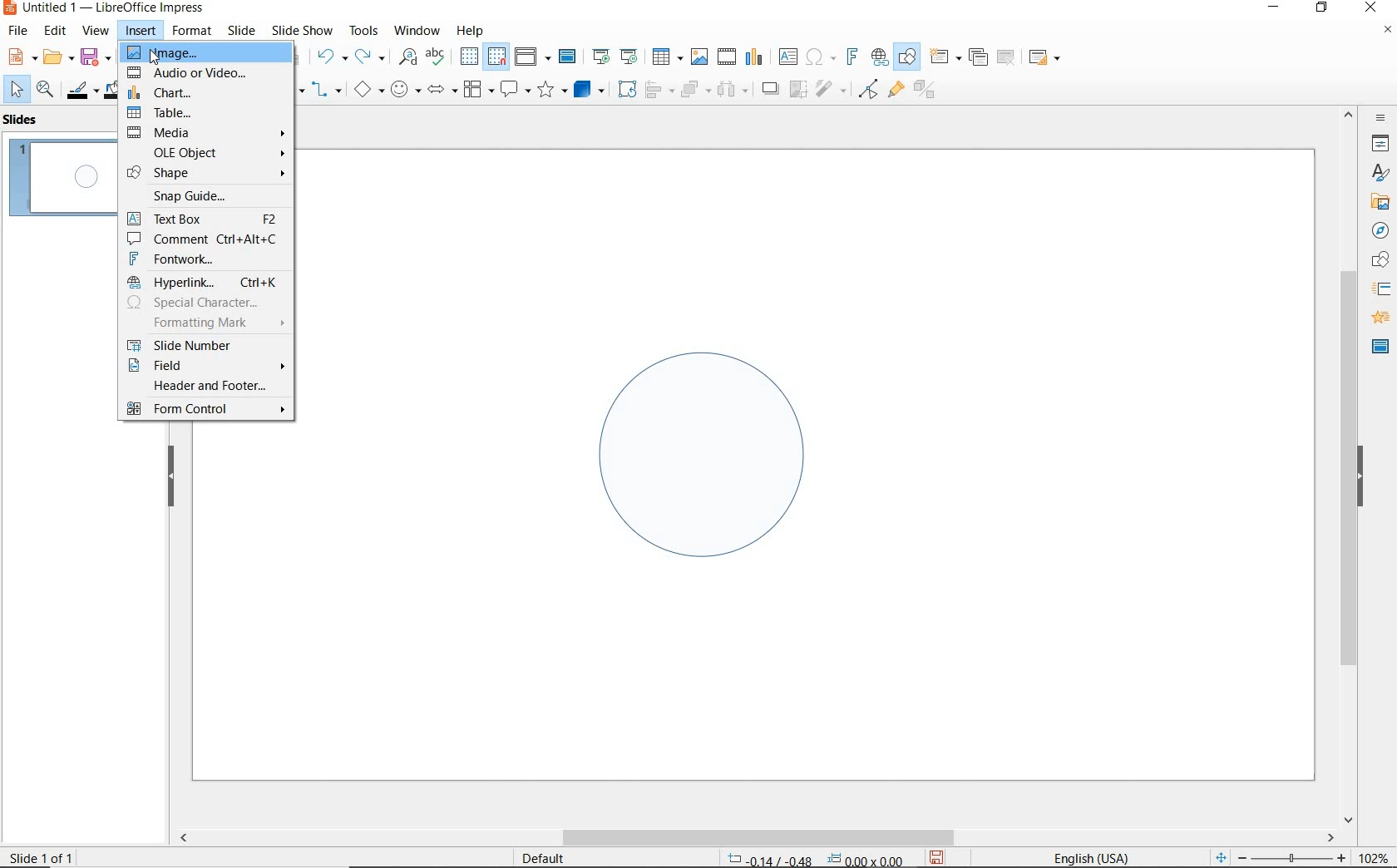  I want to click on show draw functions, so click(907, 57).